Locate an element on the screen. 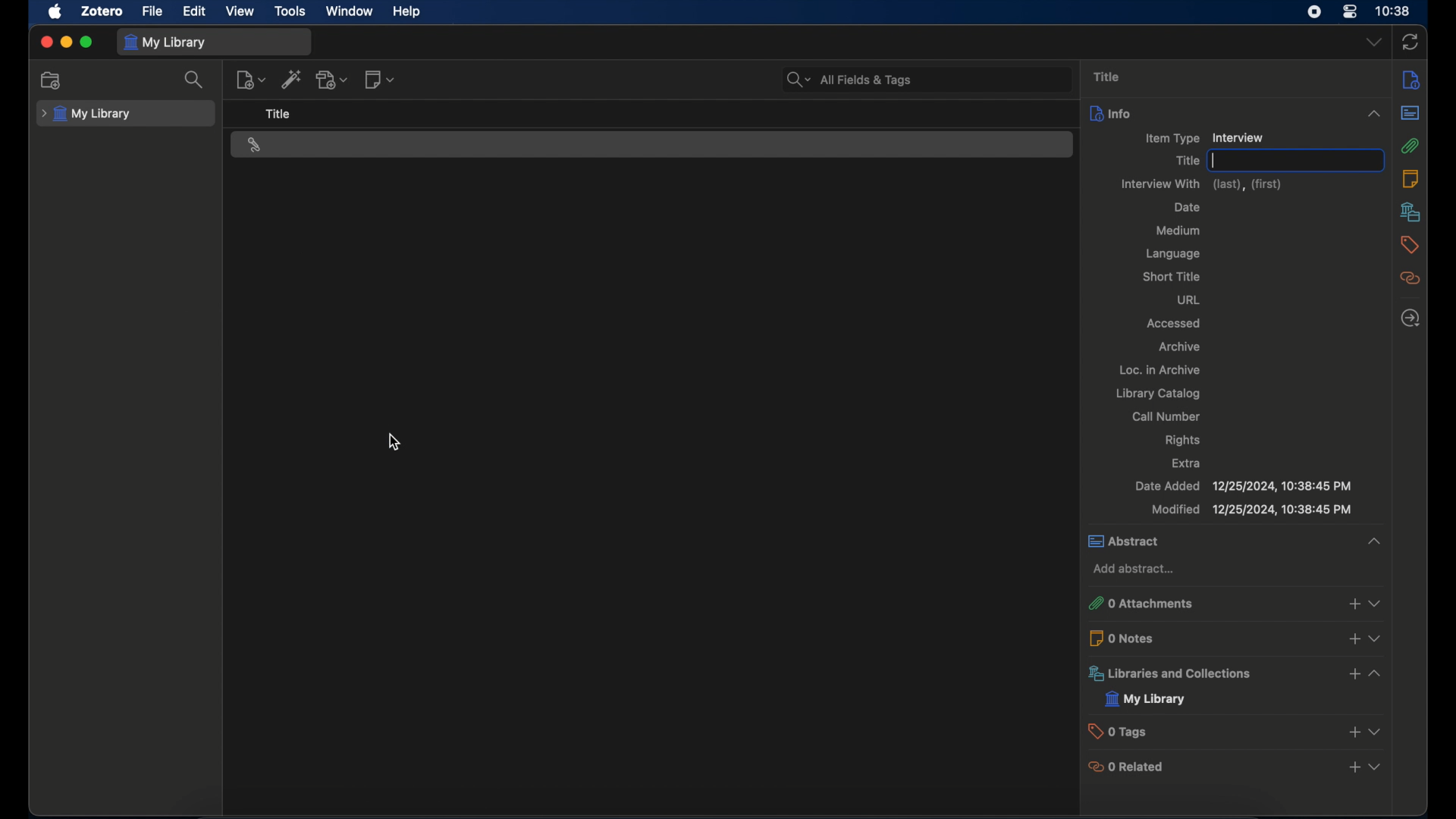 This screenshot has height=819, width=1456. tags is located at coordinates (1410, 244).